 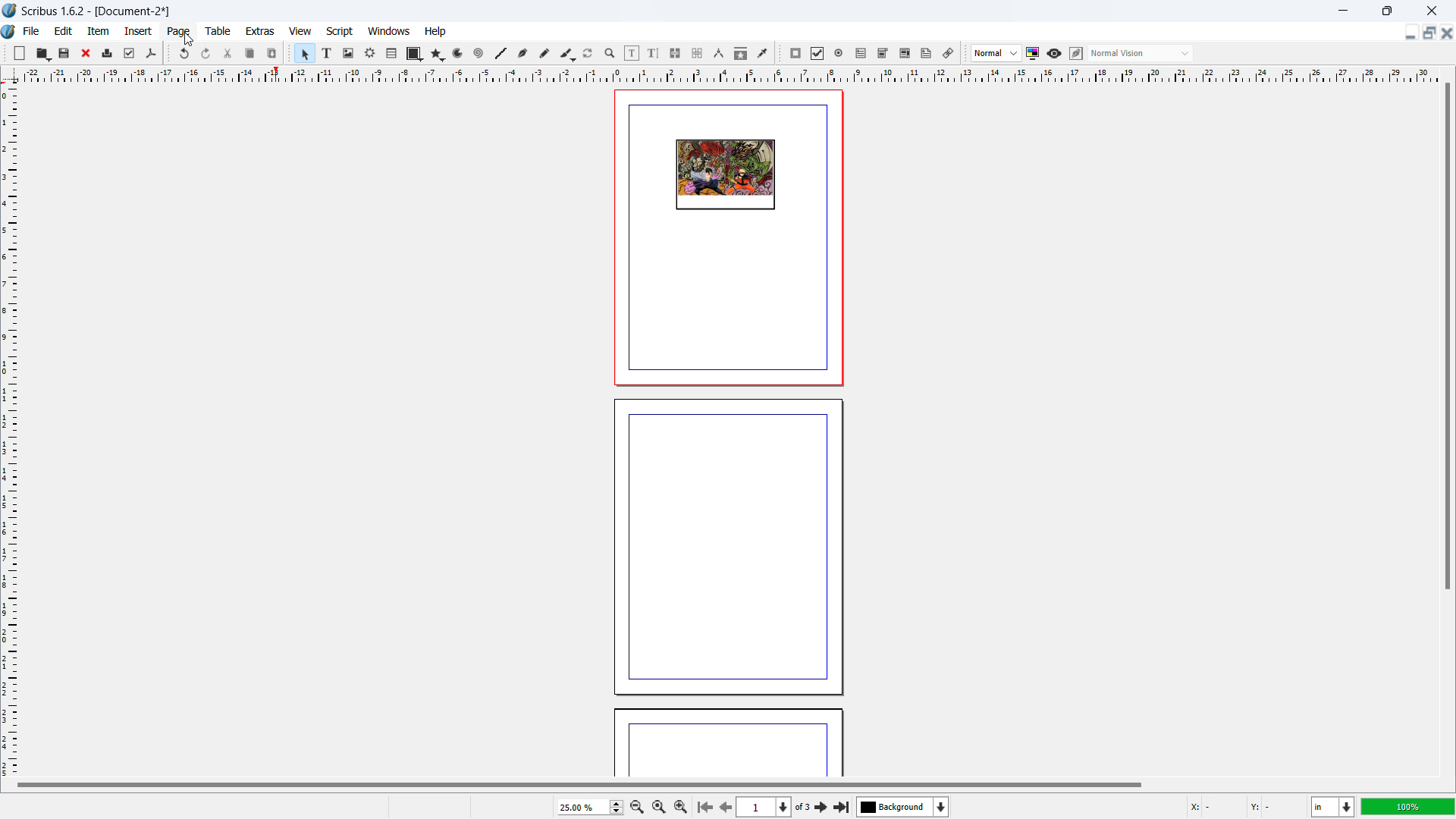 I want to click on minimize window, so click(x=1341, y=11).